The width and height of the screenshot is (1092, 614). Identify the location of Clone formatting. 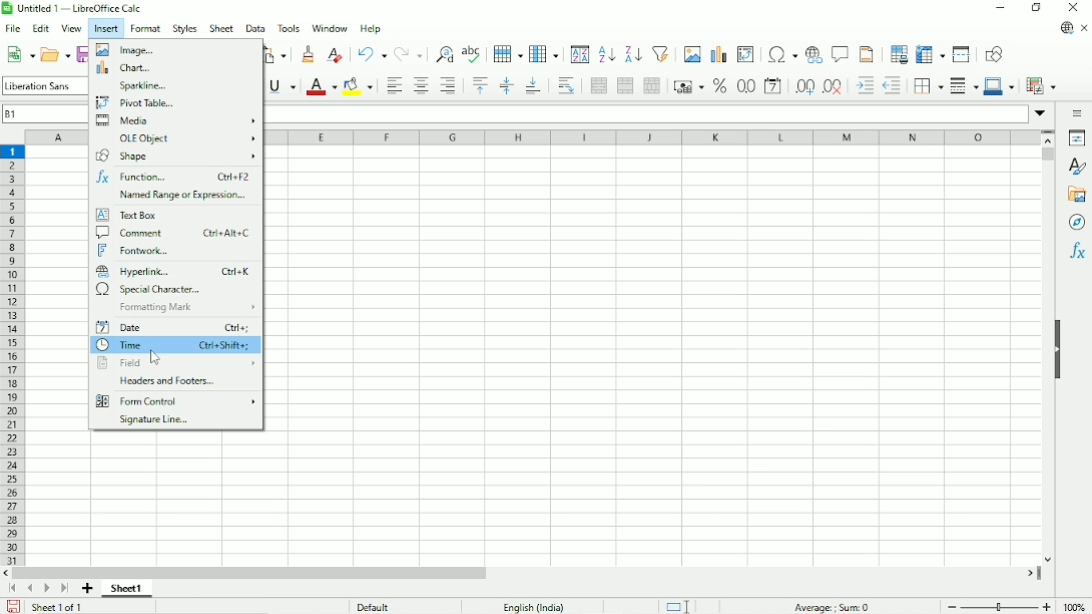
(306, 53).